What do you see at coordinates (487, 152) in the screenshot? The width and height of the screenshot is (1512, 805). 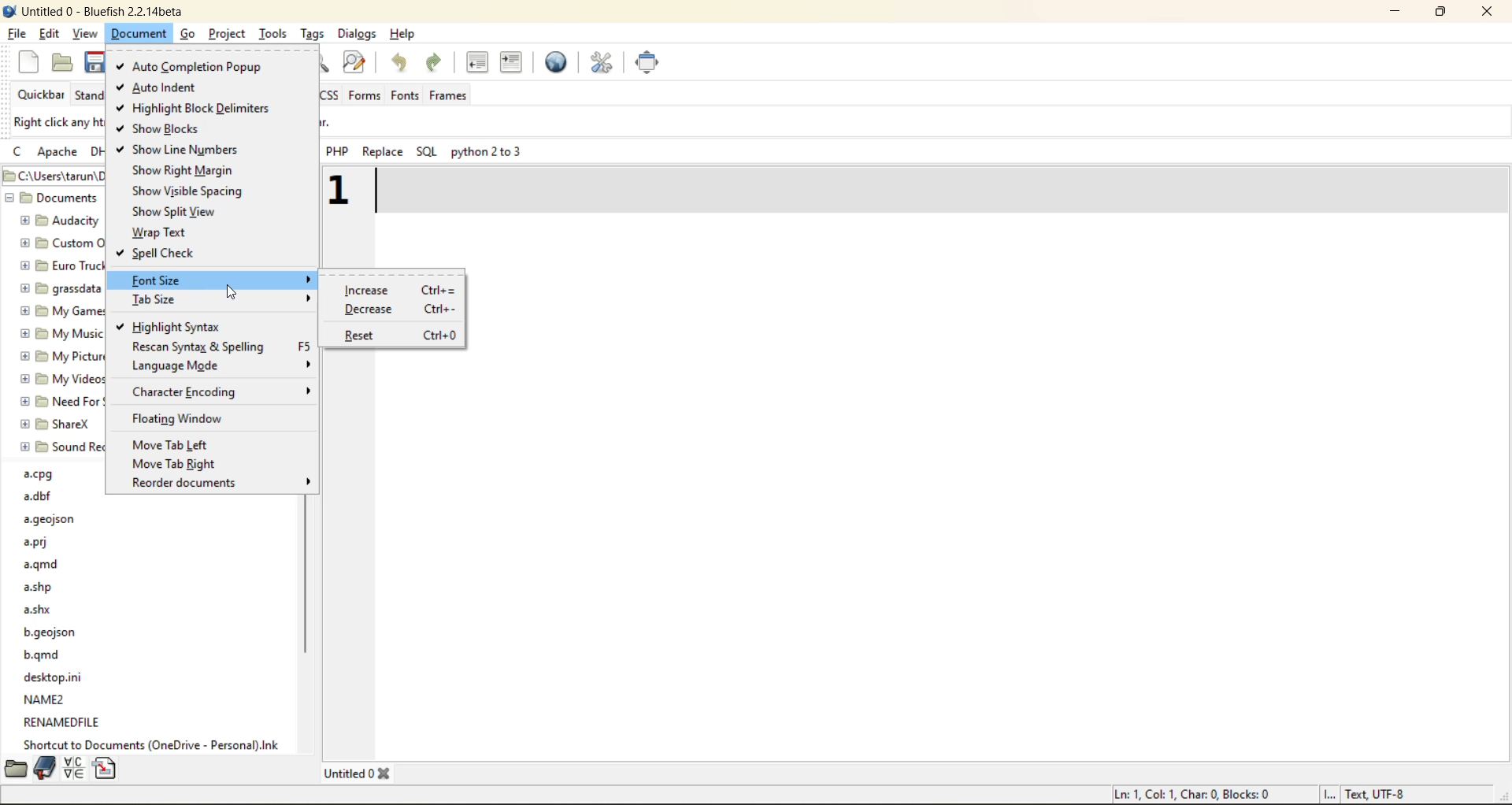 I see `python 2 to 3` at bounding box center [487, 152].